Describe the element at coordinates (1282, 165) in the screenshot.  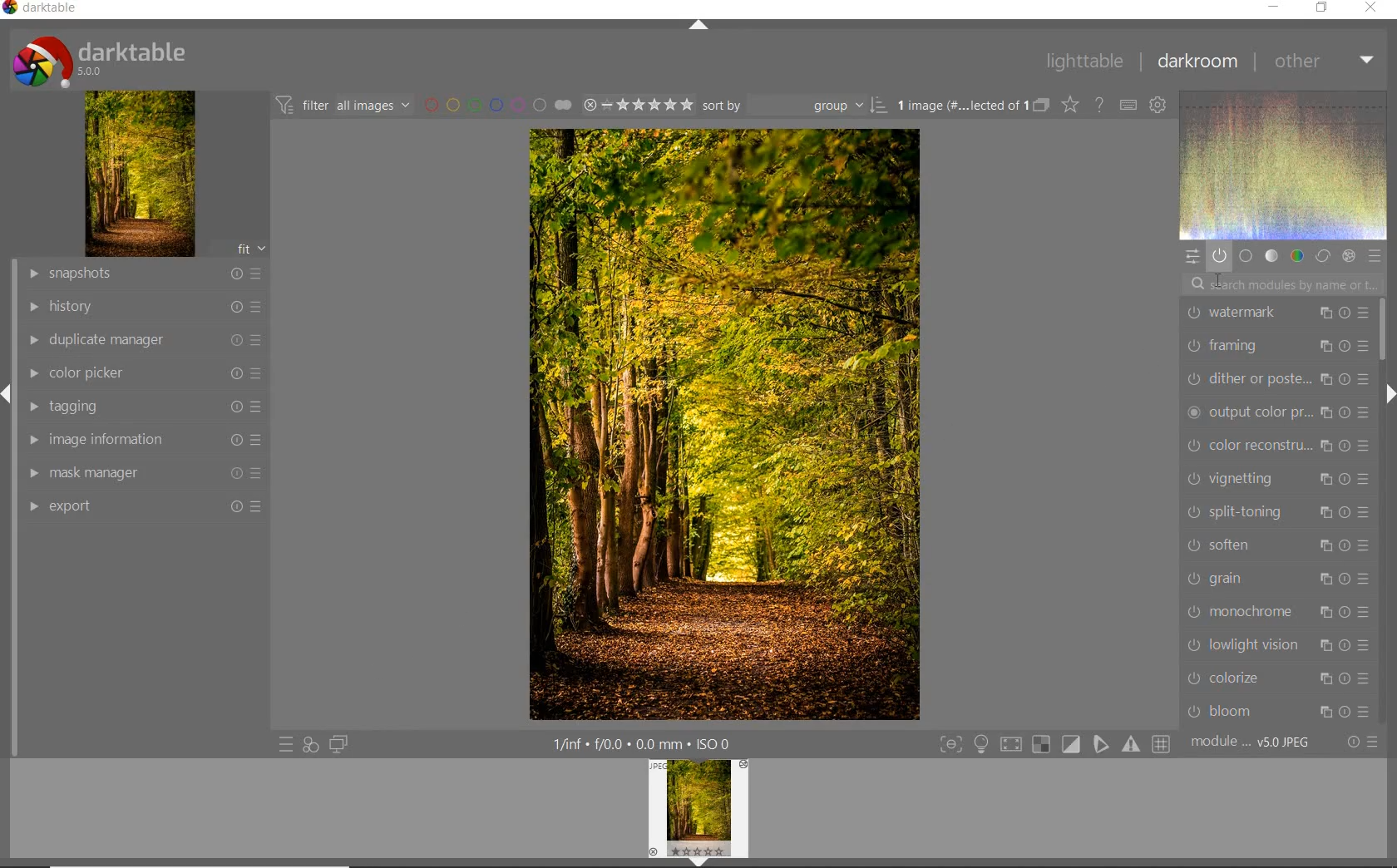
I see `wave form` at that location.